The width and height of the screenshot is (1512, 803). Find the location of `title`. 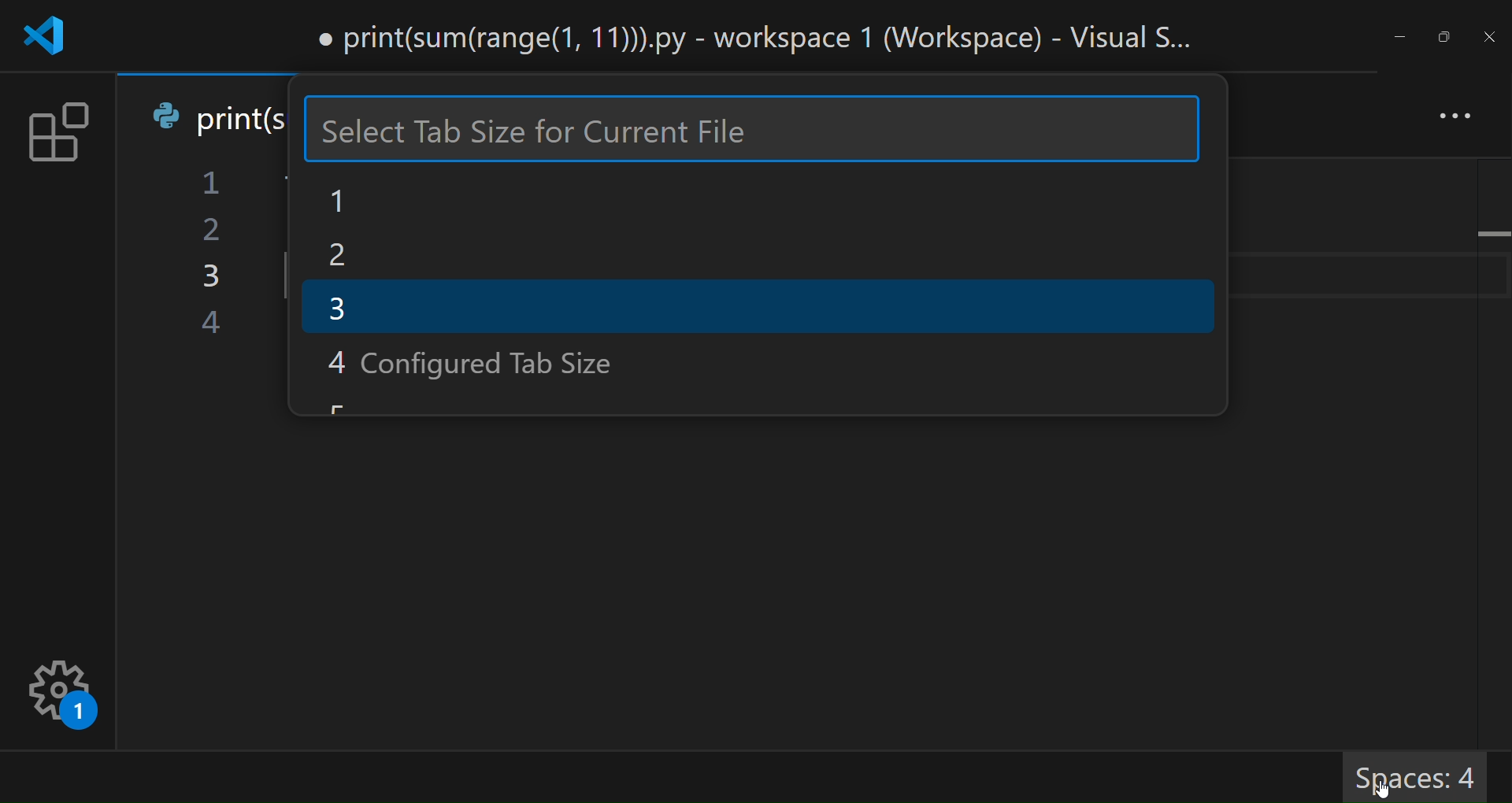

title is located at coordinates (761, 40).